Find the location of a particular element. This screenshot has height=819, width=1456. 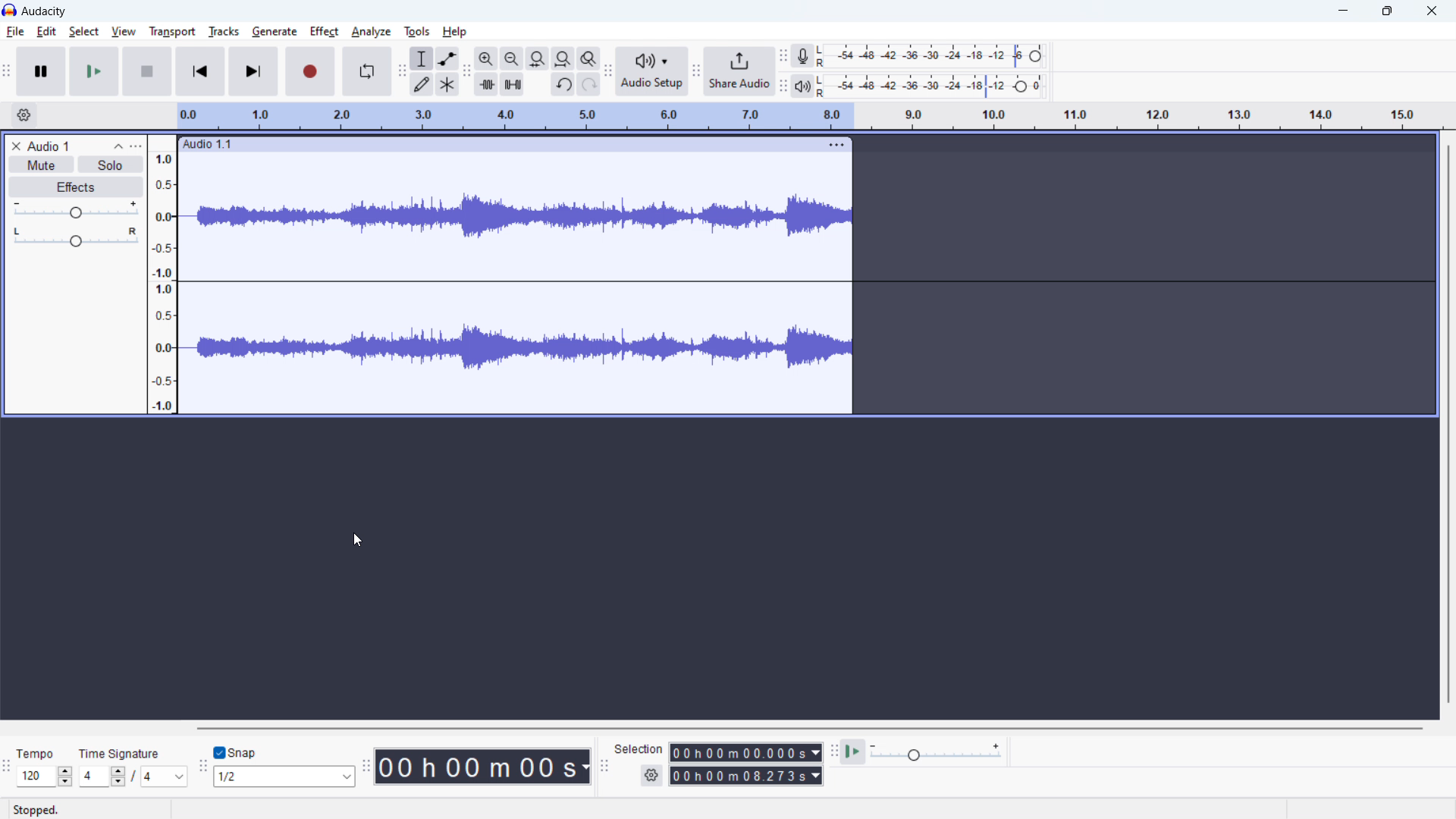

horizontal scrollbar is located at coordinates (808, 727).